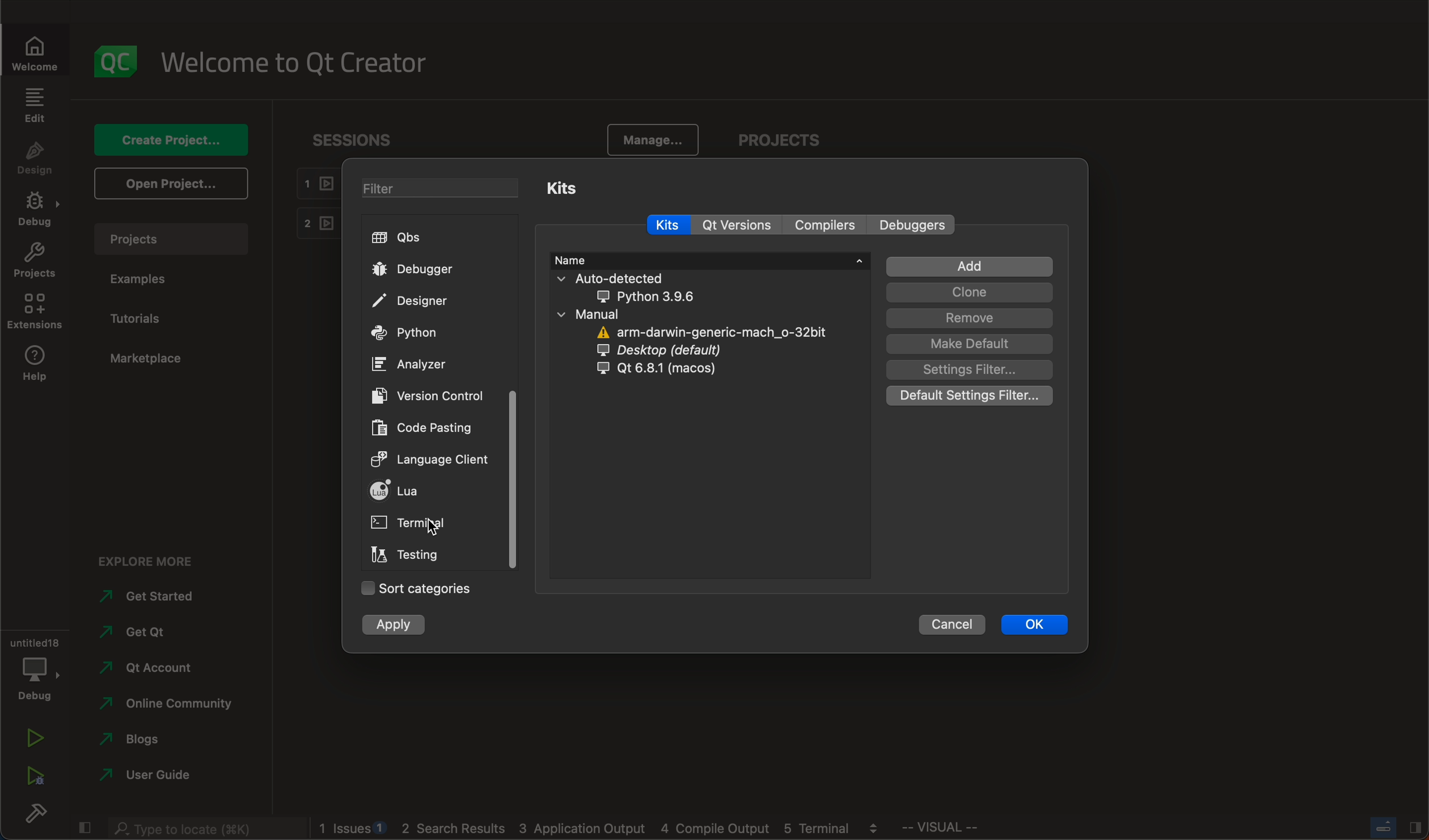 The height and width of the screenshot is (840, 1429). I want to click on community, so click(173, 703).